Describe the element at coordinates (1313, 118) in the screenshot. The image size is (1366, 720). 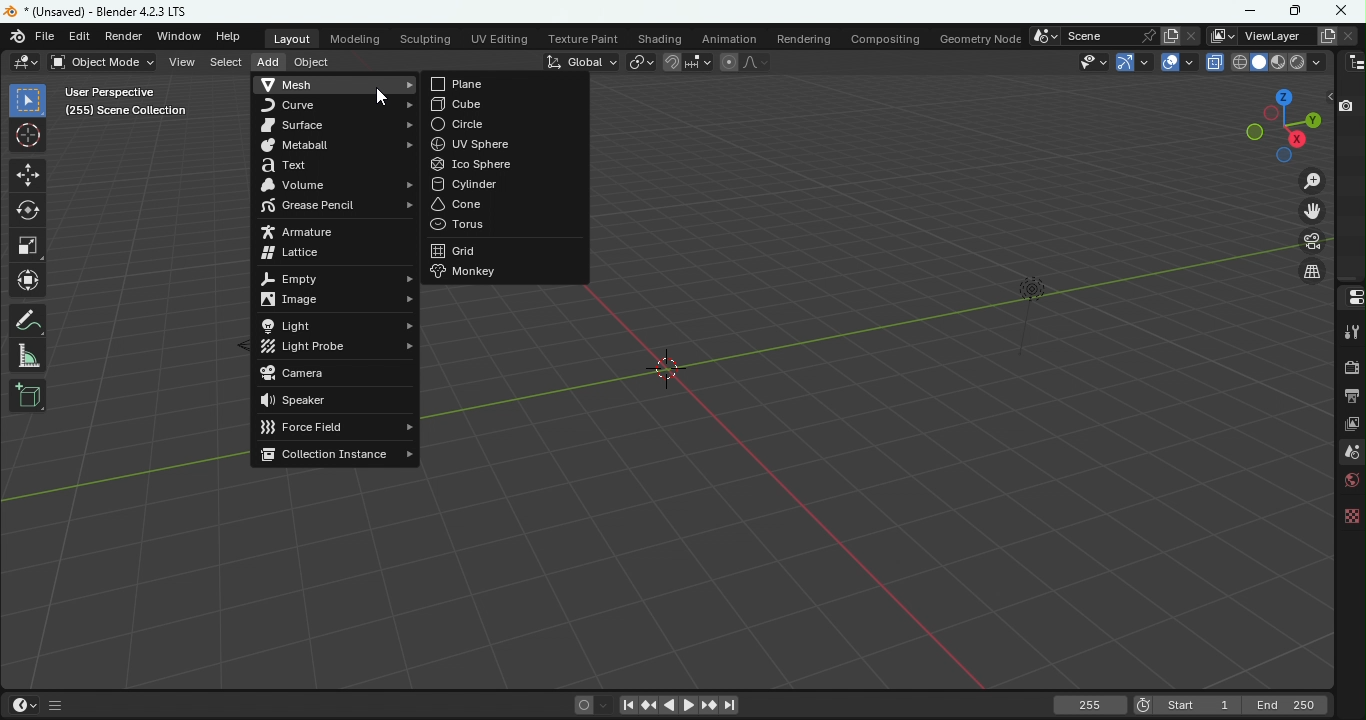
I see `Rotate the scene` at that location.